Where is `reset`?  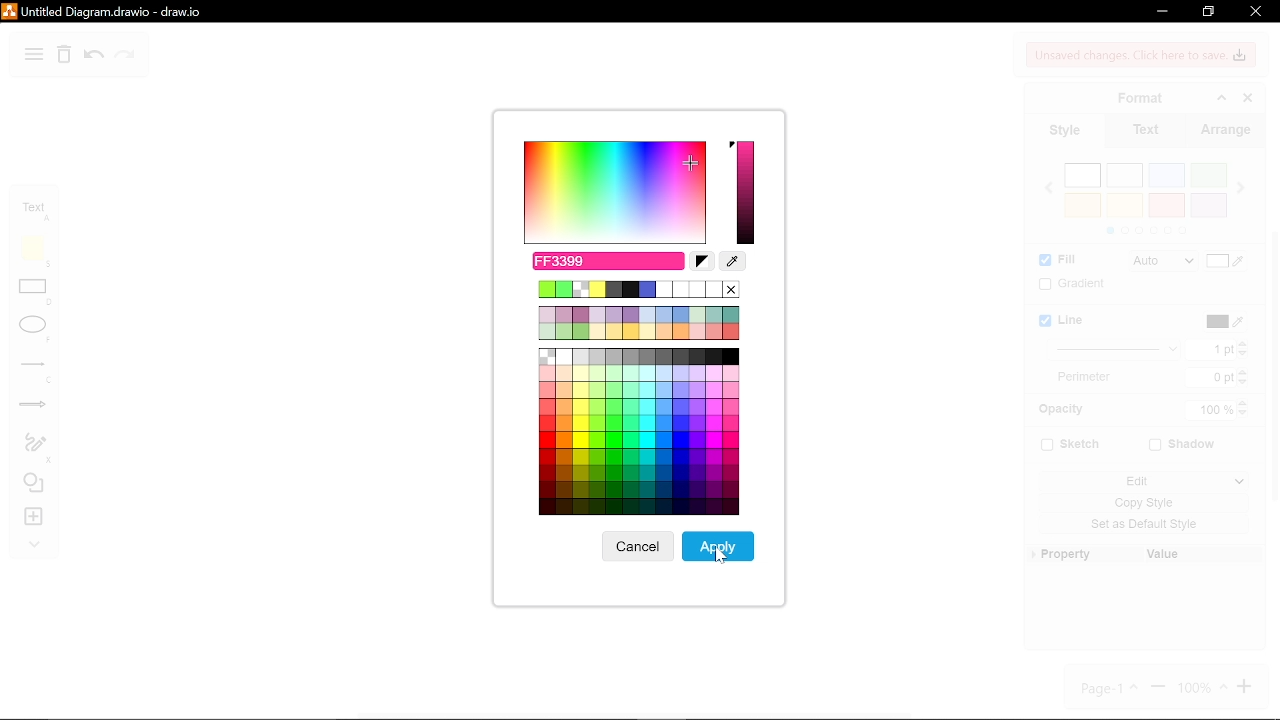 reset is located at coordinates (701, 262).